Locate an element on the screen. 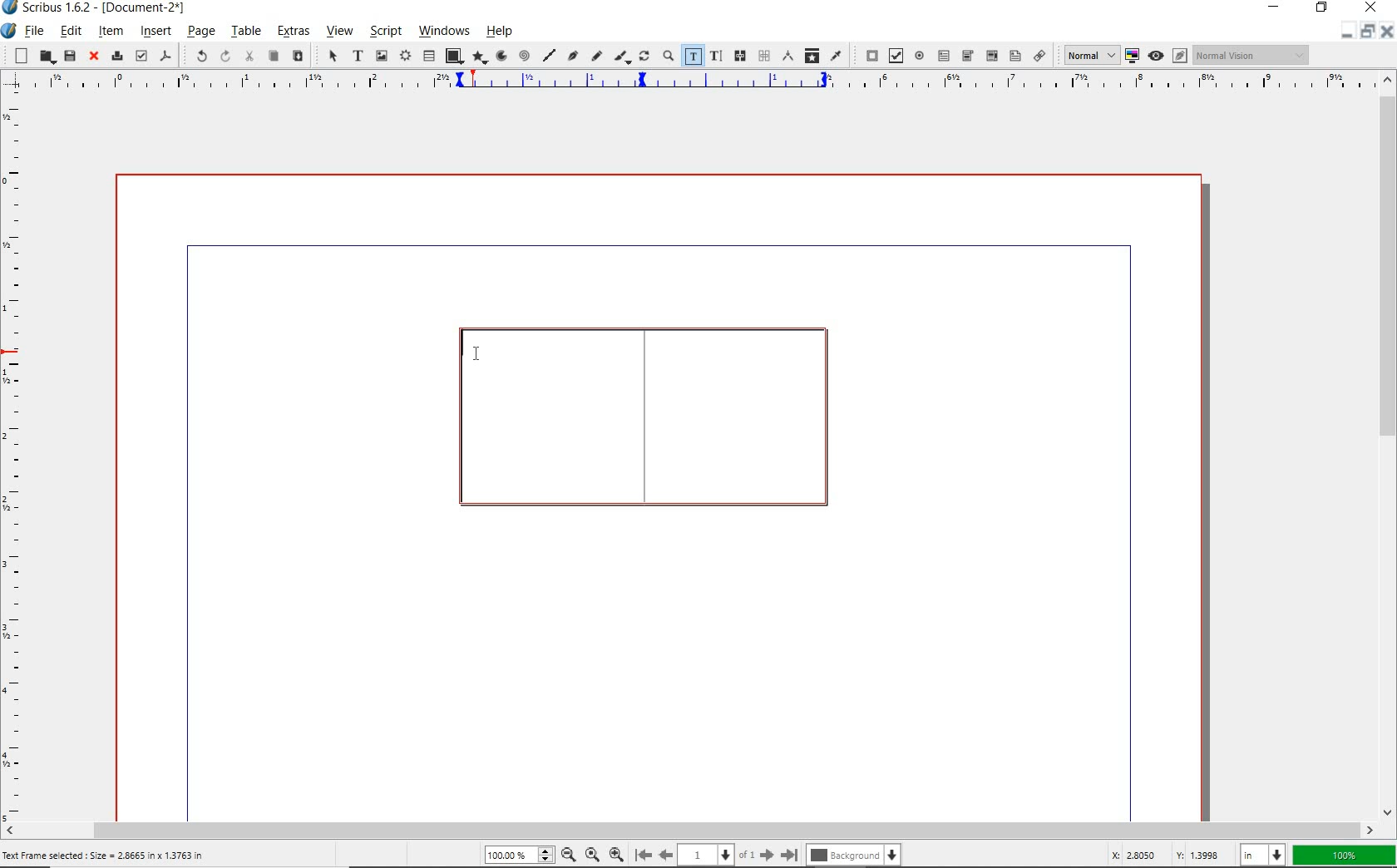 The height and width of the screenshot is (868, 1397). select image preview quality is located at coordinates (1086, 54).